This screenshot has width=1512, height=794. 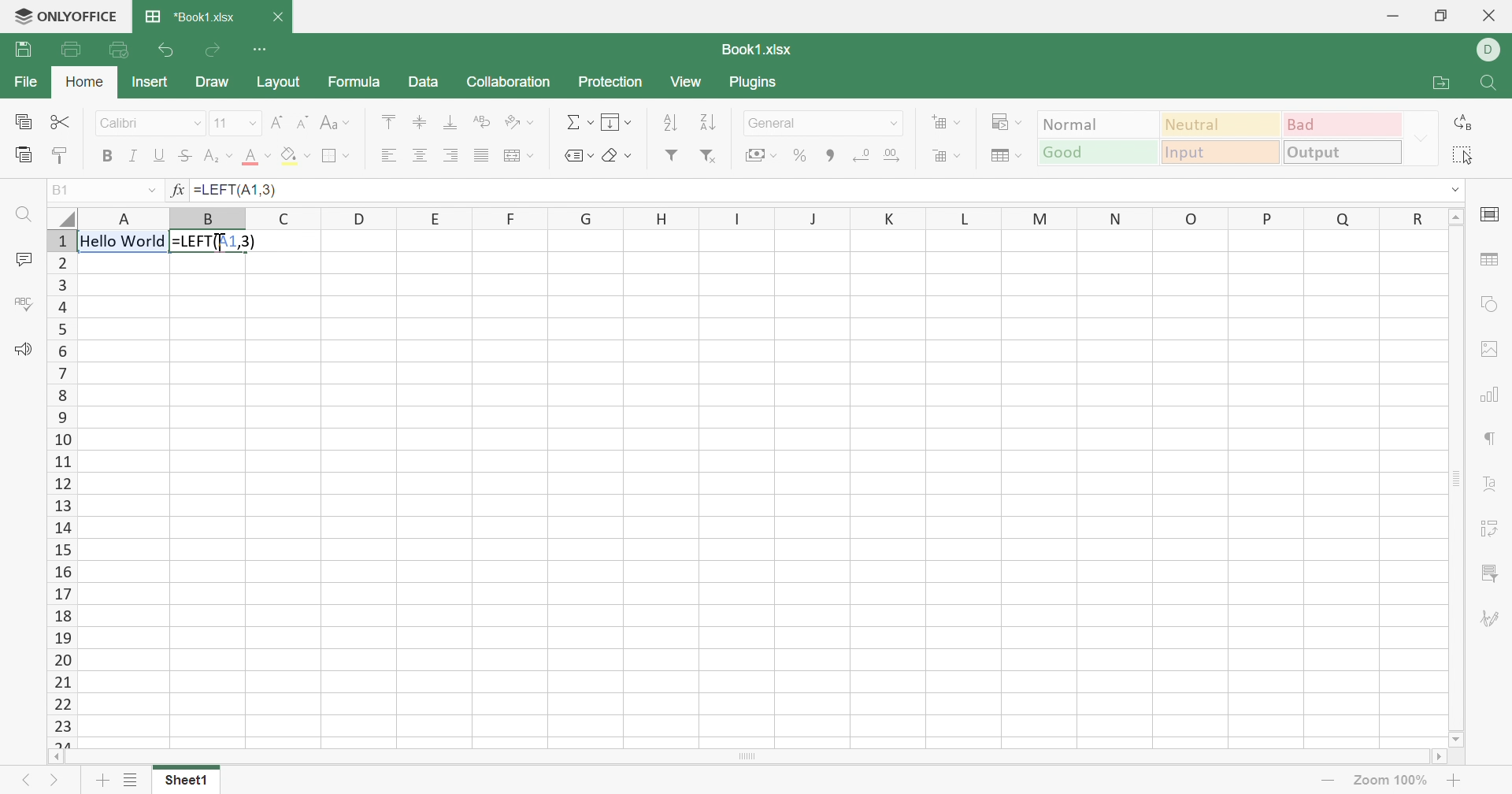 What do you see at coordinates (1492, 483) in the screenshot?
I see `Text art settings` at bounding box center [1492, 483].